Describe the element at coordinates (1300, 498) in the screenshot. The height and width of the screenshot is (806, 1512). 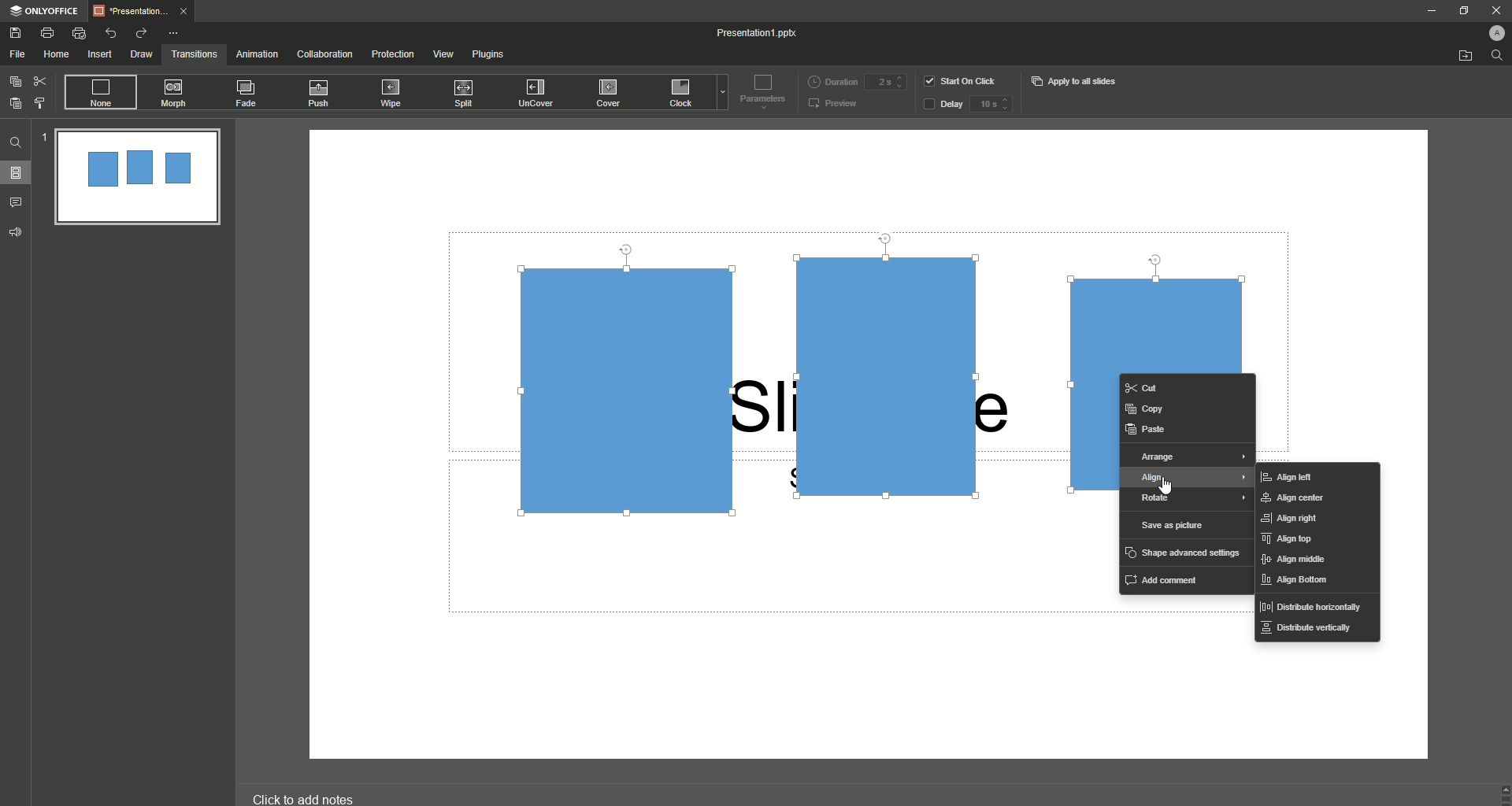
I see `Align center` at that location.